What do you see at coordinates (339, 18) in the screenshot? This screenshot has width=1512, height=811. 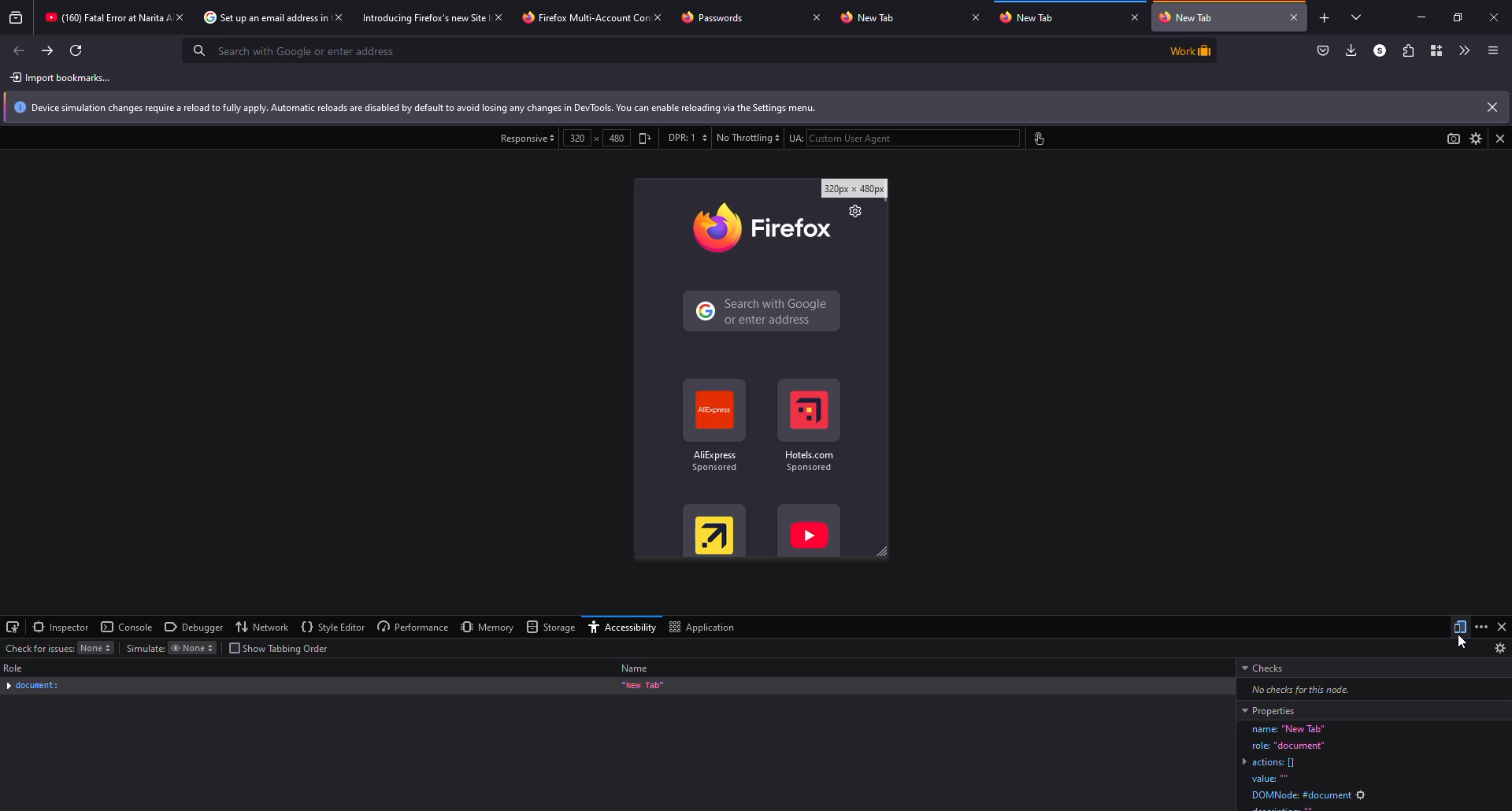 I see `close` at bounding box center [339, 18].